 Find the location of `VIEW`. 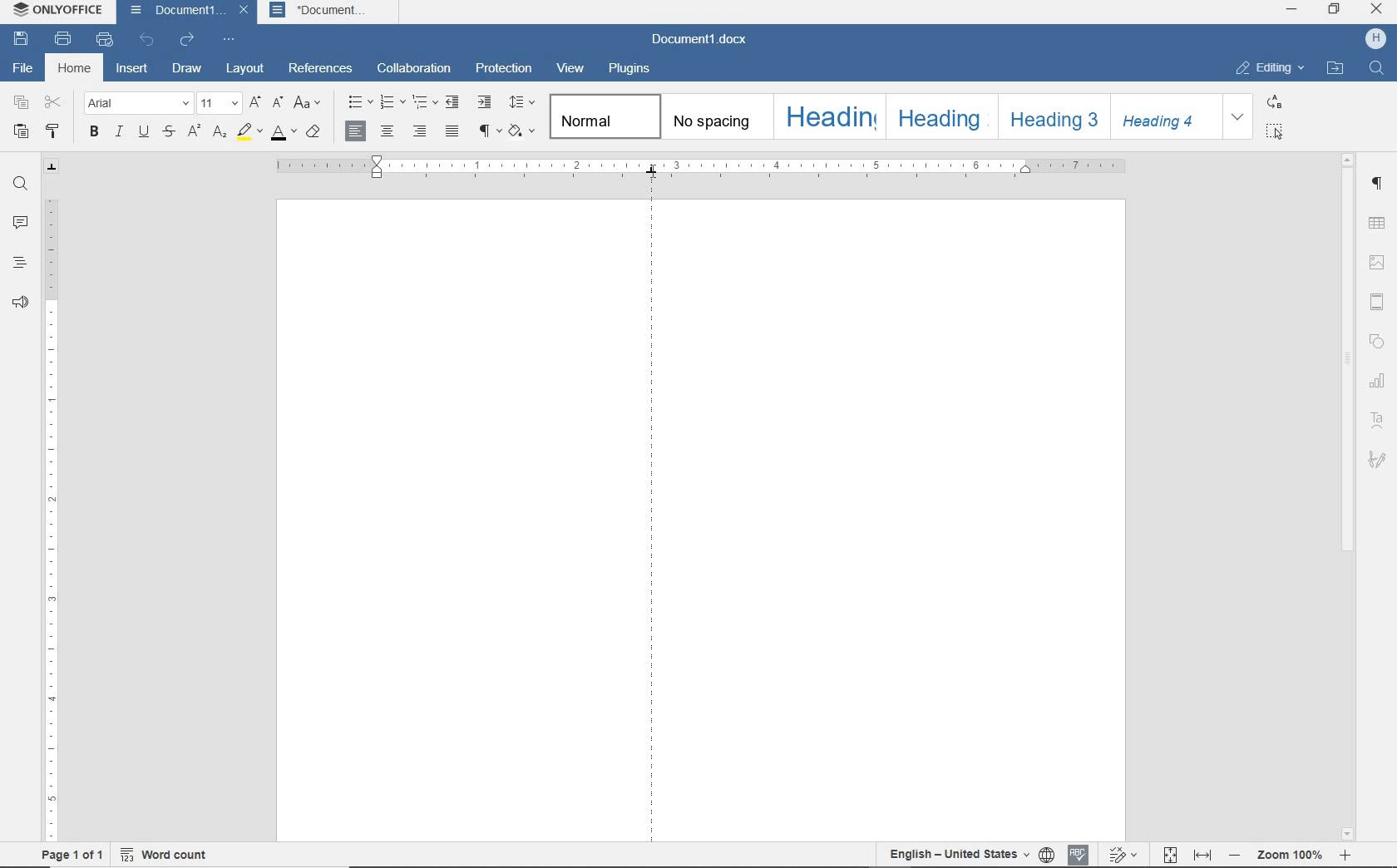

VIEW is located at coordinates (571, 69).